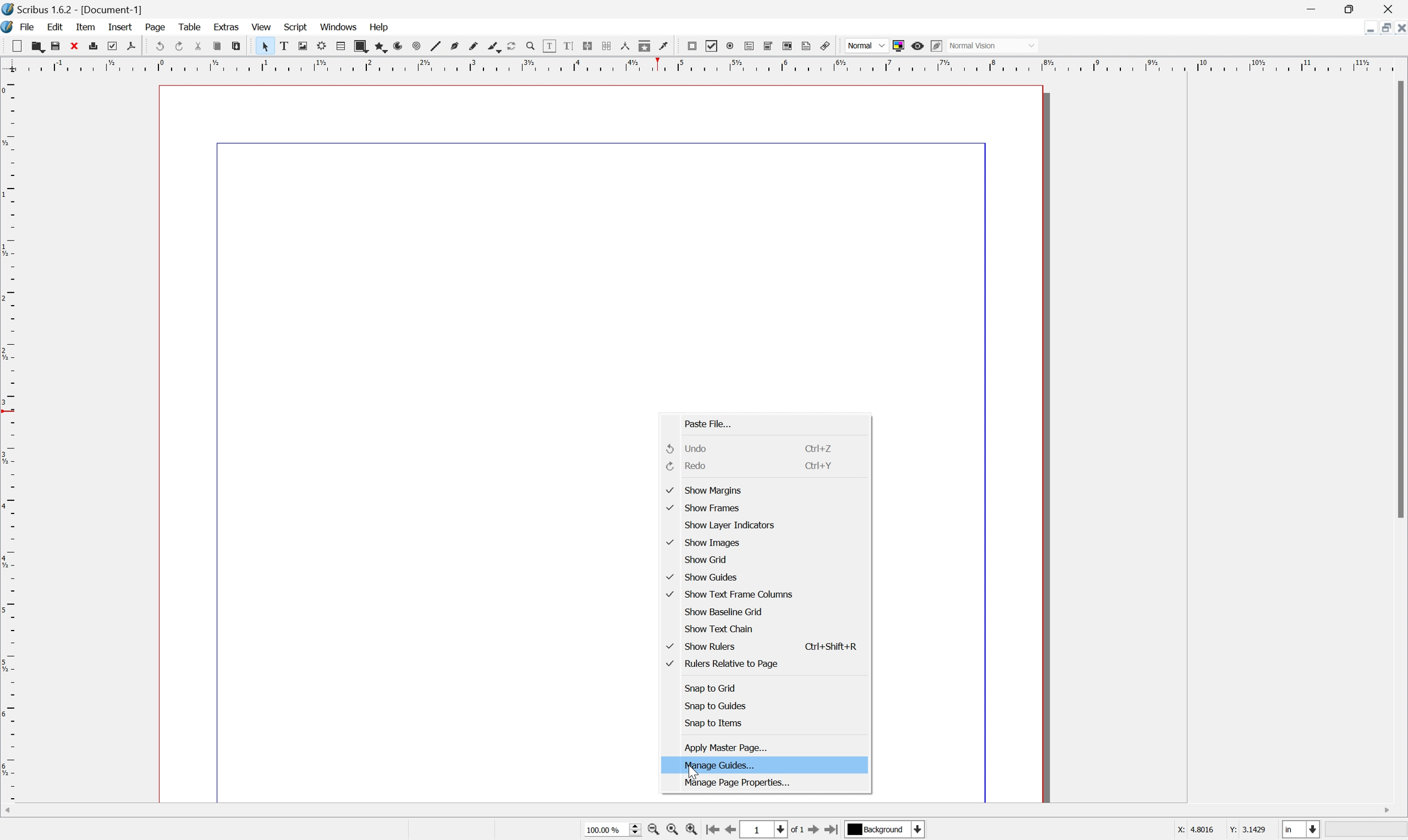 This screenshot has height=840, width=1408. I want to click on new, so click(19, 47).